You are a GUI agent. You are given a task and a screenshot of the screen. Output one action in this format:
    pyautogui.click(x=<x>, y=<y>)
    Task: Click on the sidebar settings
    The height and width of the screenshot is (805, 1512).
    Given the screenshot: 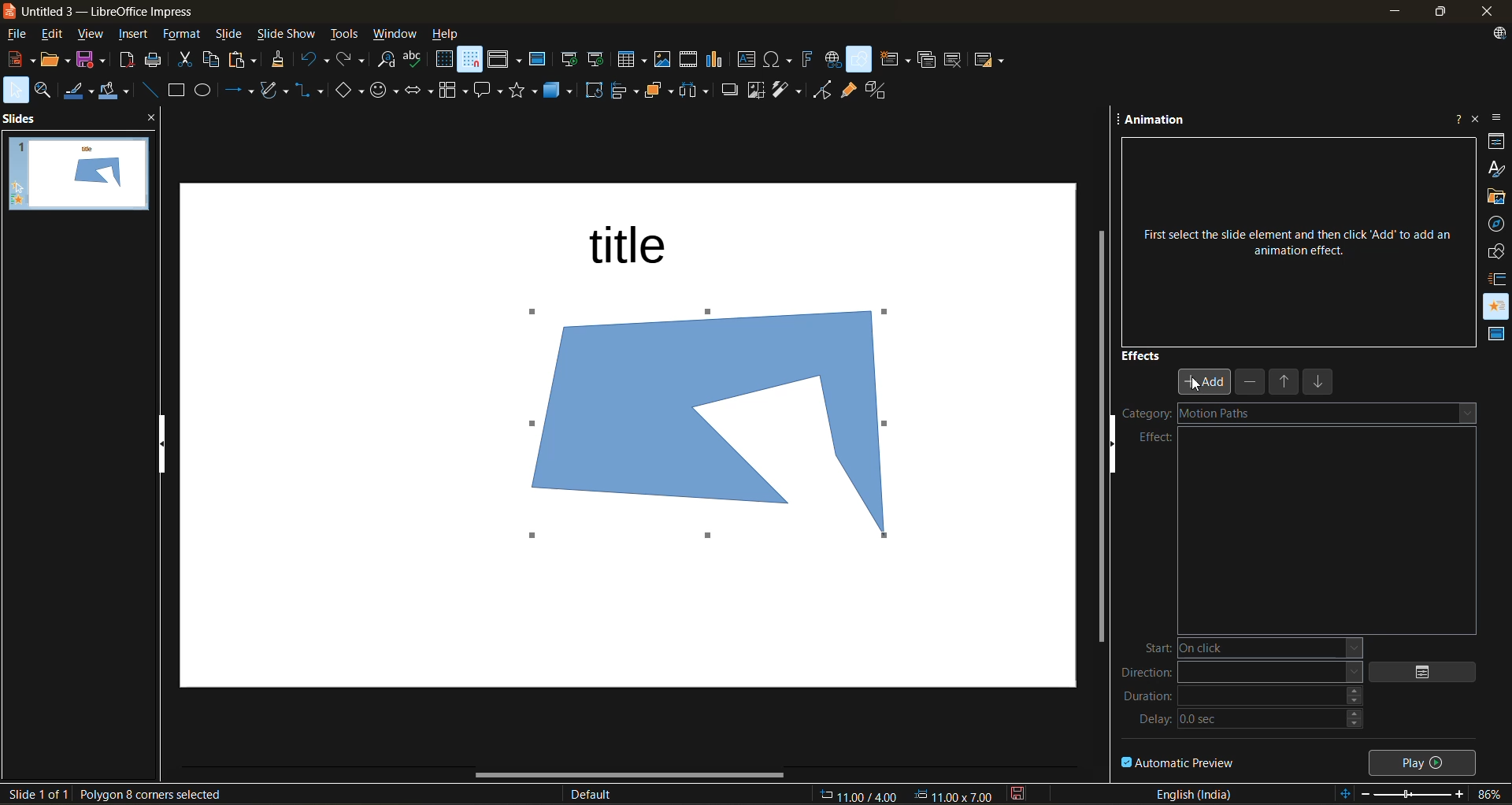 What is the action you would take?
    pyautogui.click(x=1501, y=117)
    